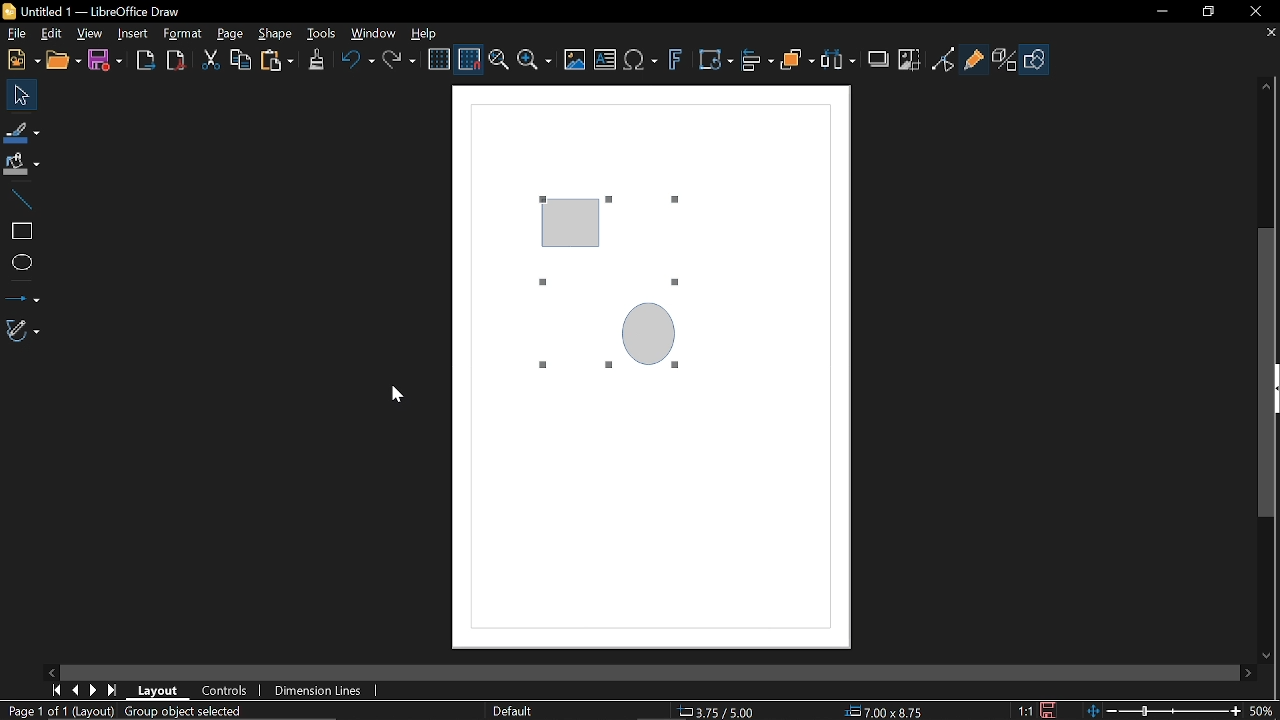 The width and height of the screenshot is (1280, 720). Describe the element at coordinates (715, 61) in the screenshot. I see `Transform` at that location.